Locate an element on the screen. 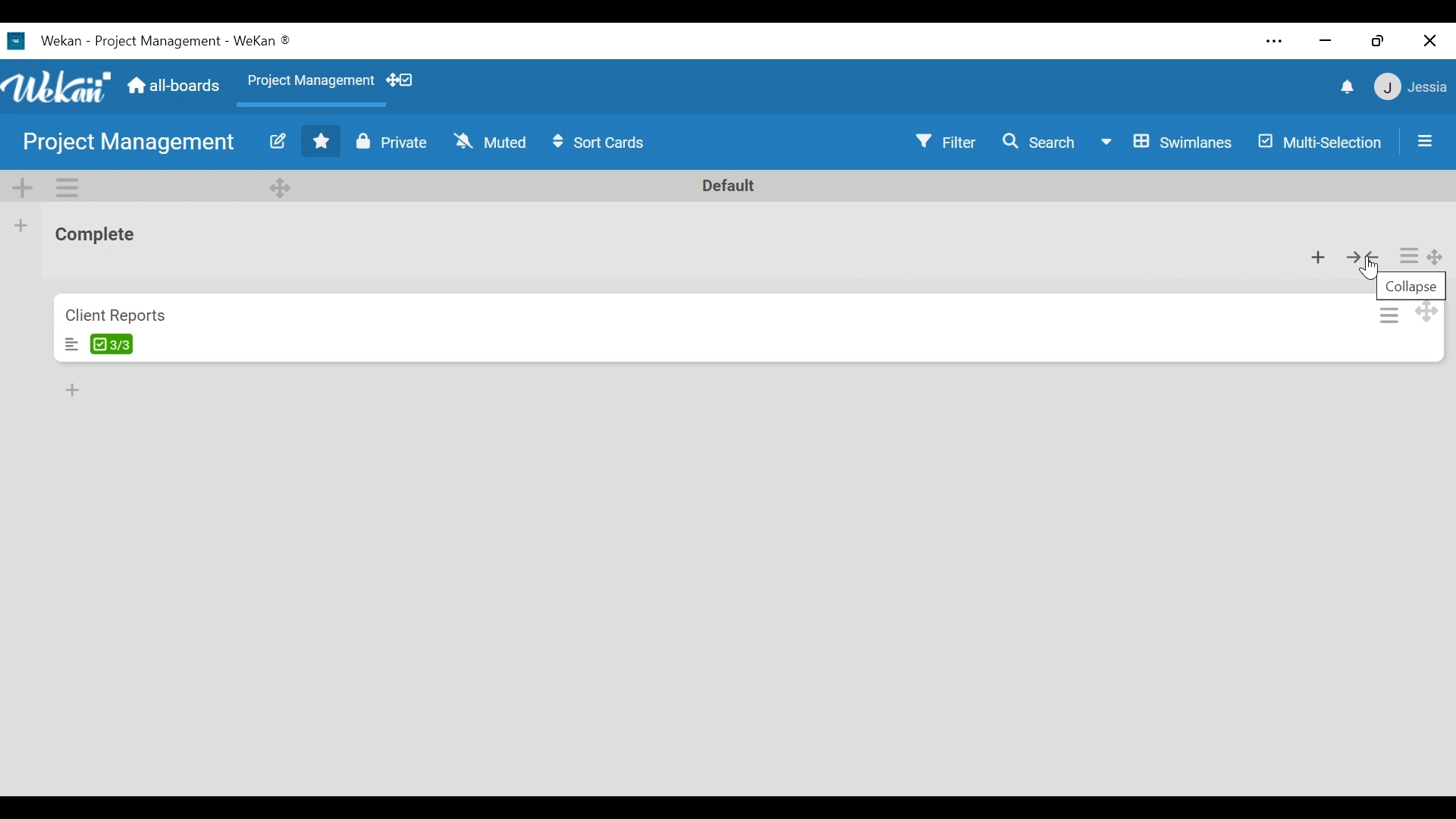 The width and height of the screenshot is (1456, 819). Go to Home View (all-boards) is located at coordinates (174, 87).